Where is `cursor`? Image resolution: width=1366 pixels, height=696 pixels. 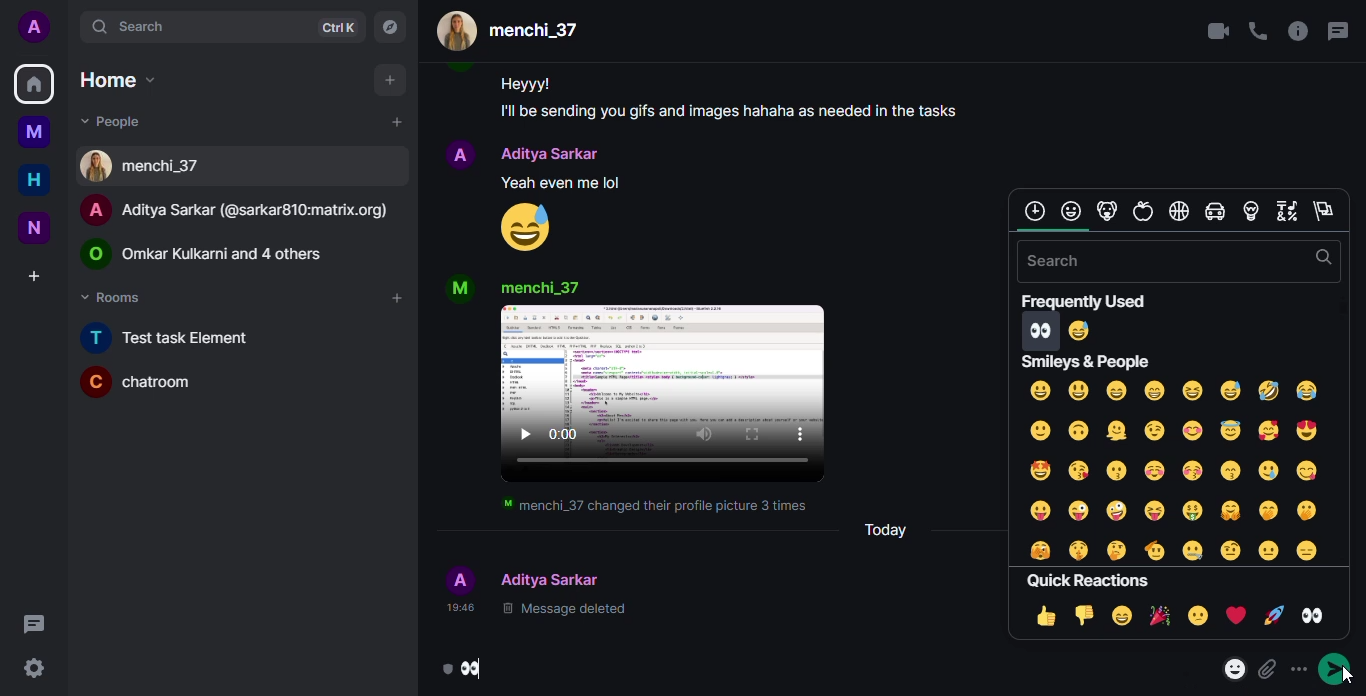
cursor is located at coordinates (1349, 681).